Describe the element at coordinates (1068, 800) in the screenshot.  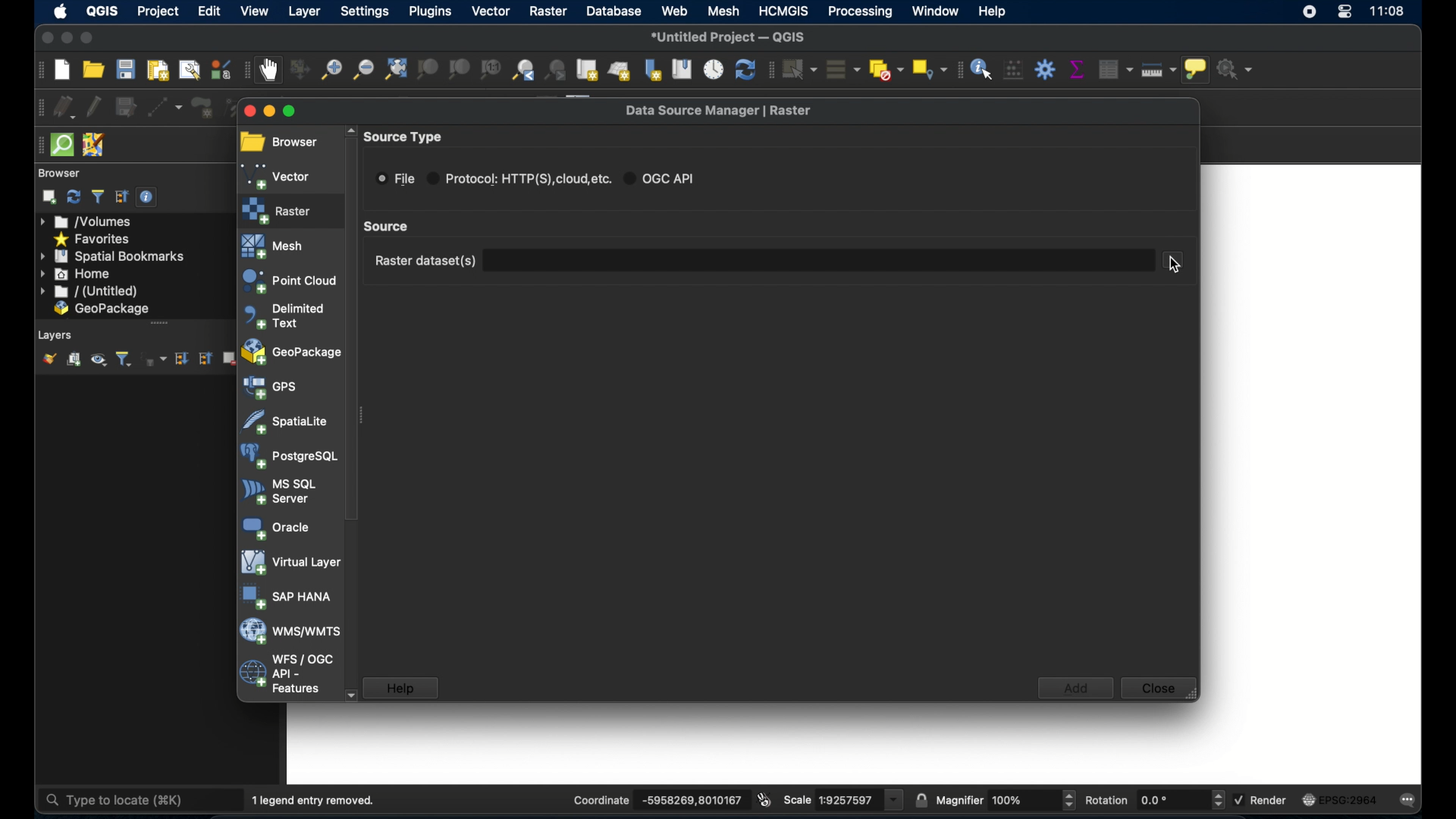
I see `Increase or decrease` at that location.